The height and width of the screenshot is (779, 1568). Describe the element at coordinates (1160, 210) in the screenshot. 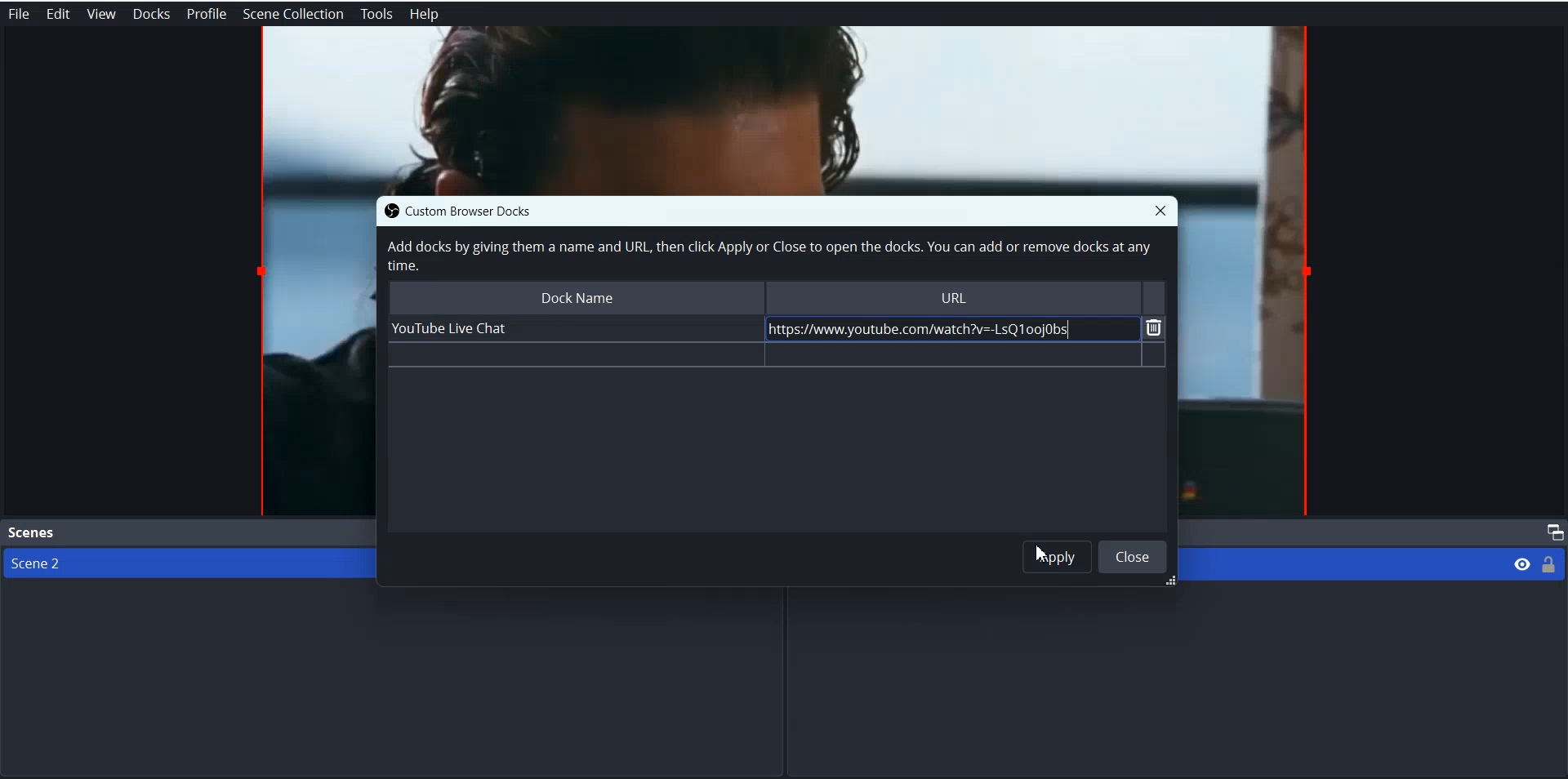

I see `Close` at that location.